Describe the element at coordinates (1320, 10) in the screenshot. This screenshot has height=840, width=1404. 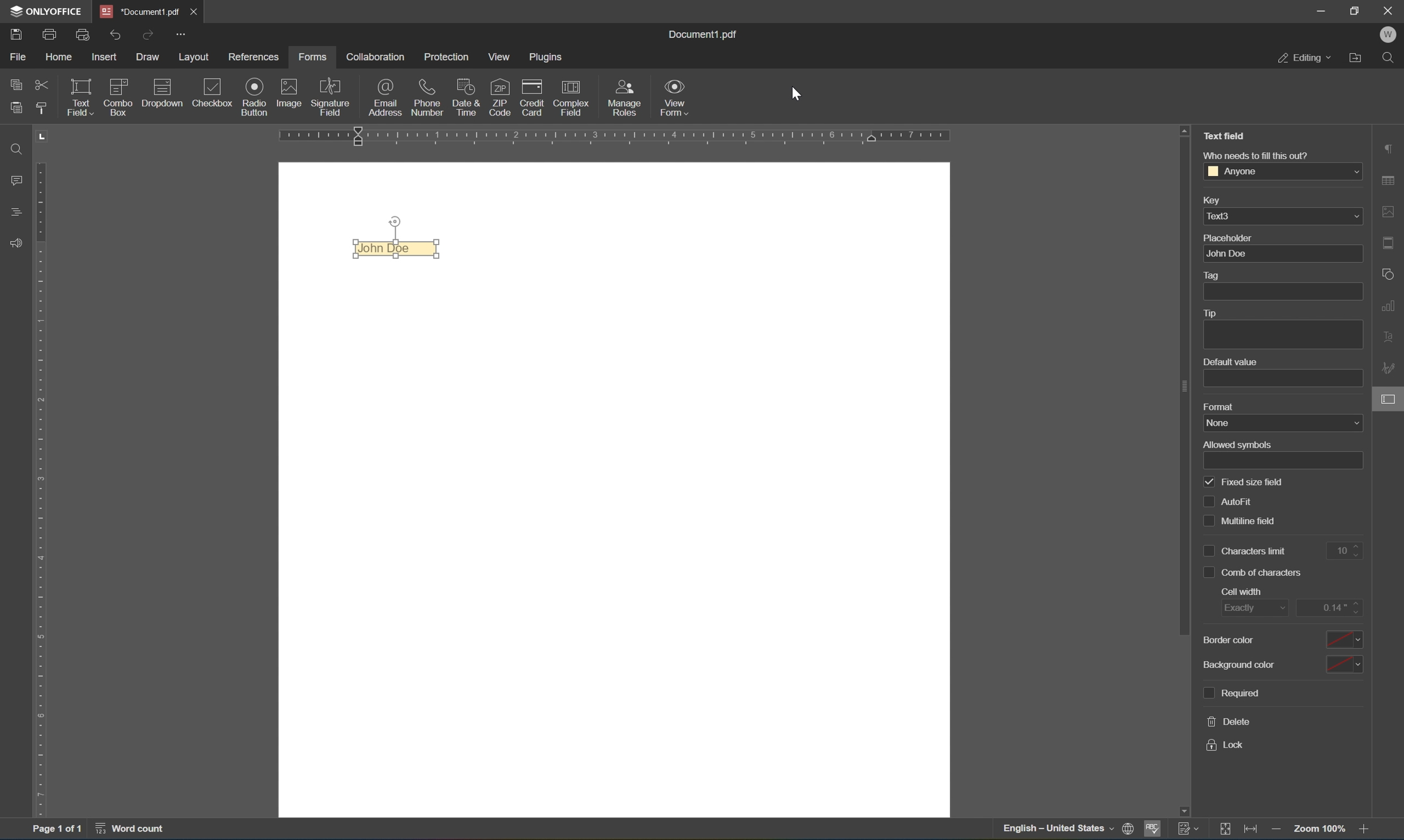
I see `minimize` at that location.